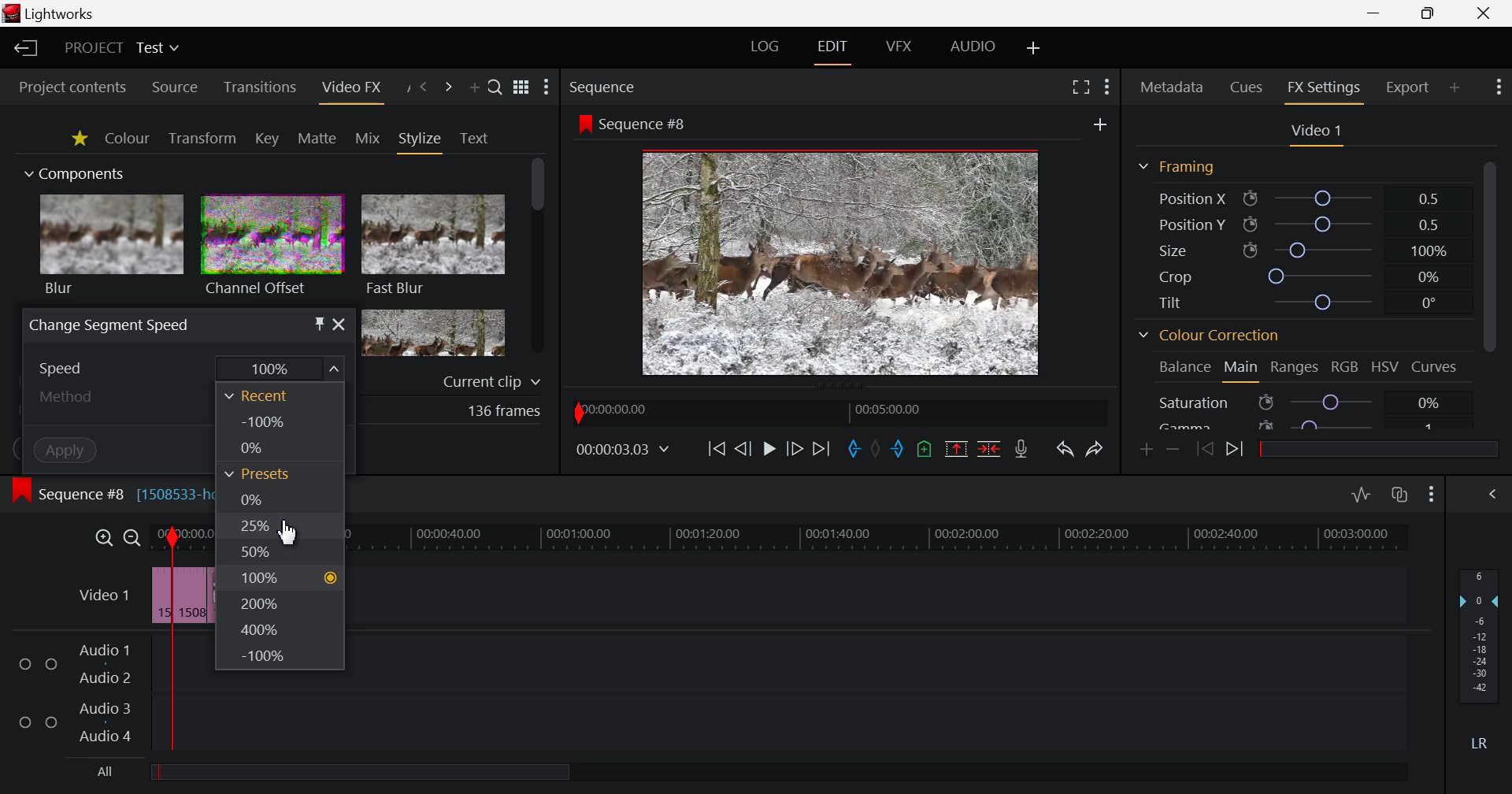  What do you see at coordinates (474, 87) in the screenshot?
I see `Add Panel` at bounding box center [474, 87].